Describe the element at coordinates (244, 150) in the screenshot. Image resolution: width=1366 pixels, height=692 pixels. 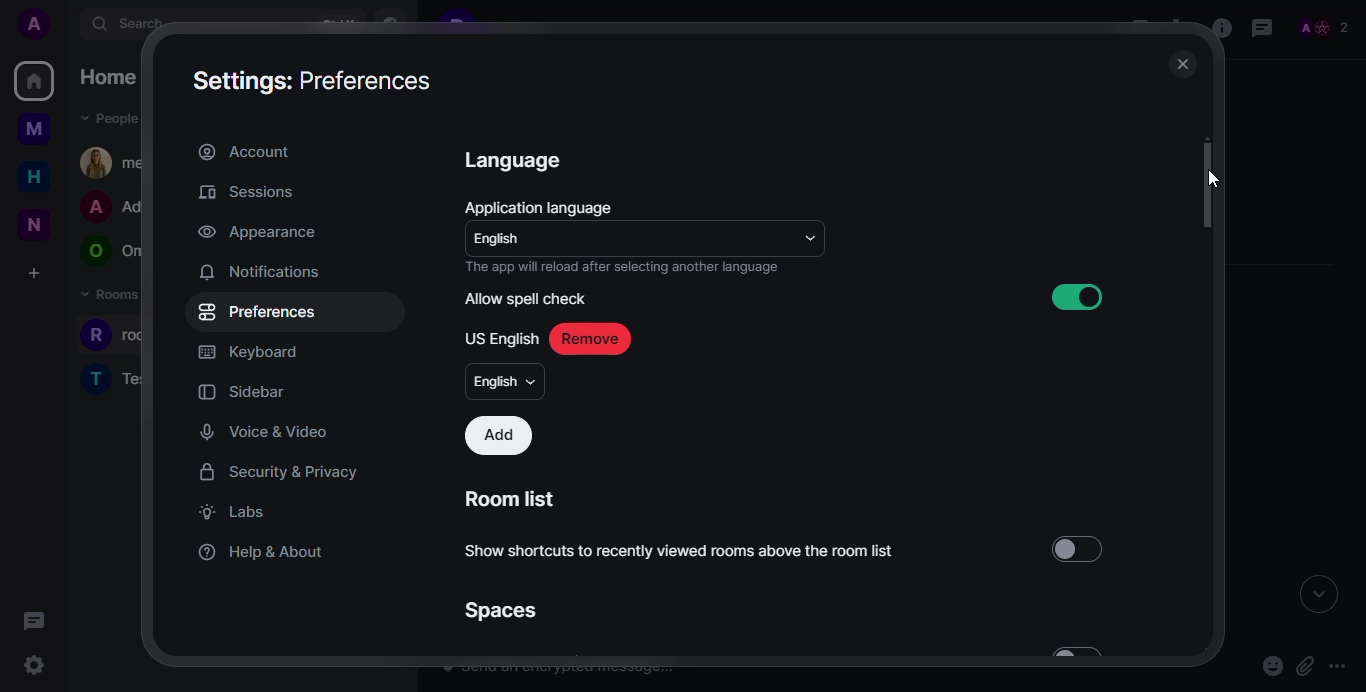
I see `account` at that location.